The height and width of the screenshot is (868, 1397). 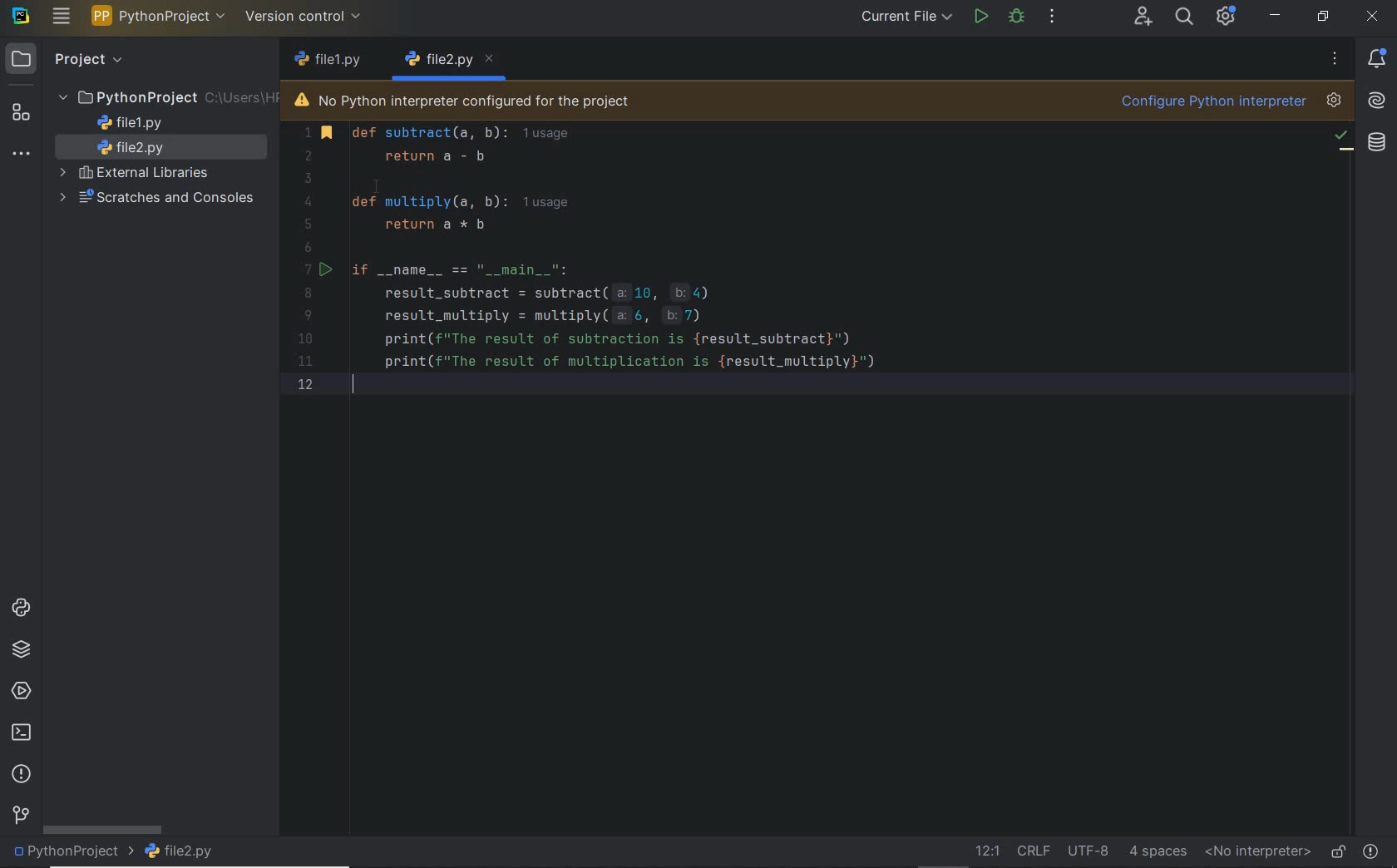 What do you see at coordinates (299, 259) in the screenshot?
I see `Numbers` at bounding box center [299, 259].